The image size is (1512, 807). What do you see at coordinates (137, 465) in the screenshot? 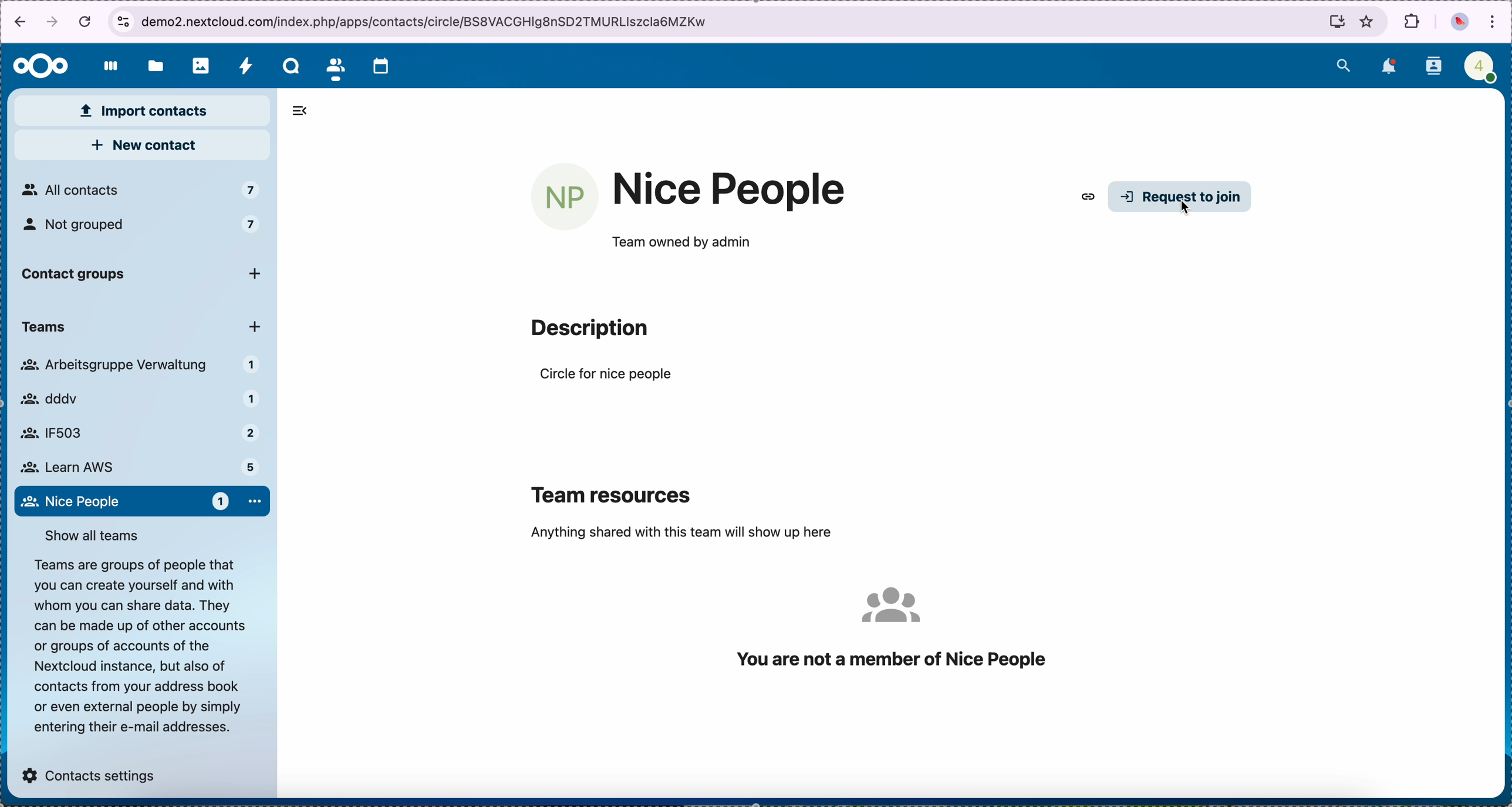
I see `learn AWS` at bounding box center [137, 465].